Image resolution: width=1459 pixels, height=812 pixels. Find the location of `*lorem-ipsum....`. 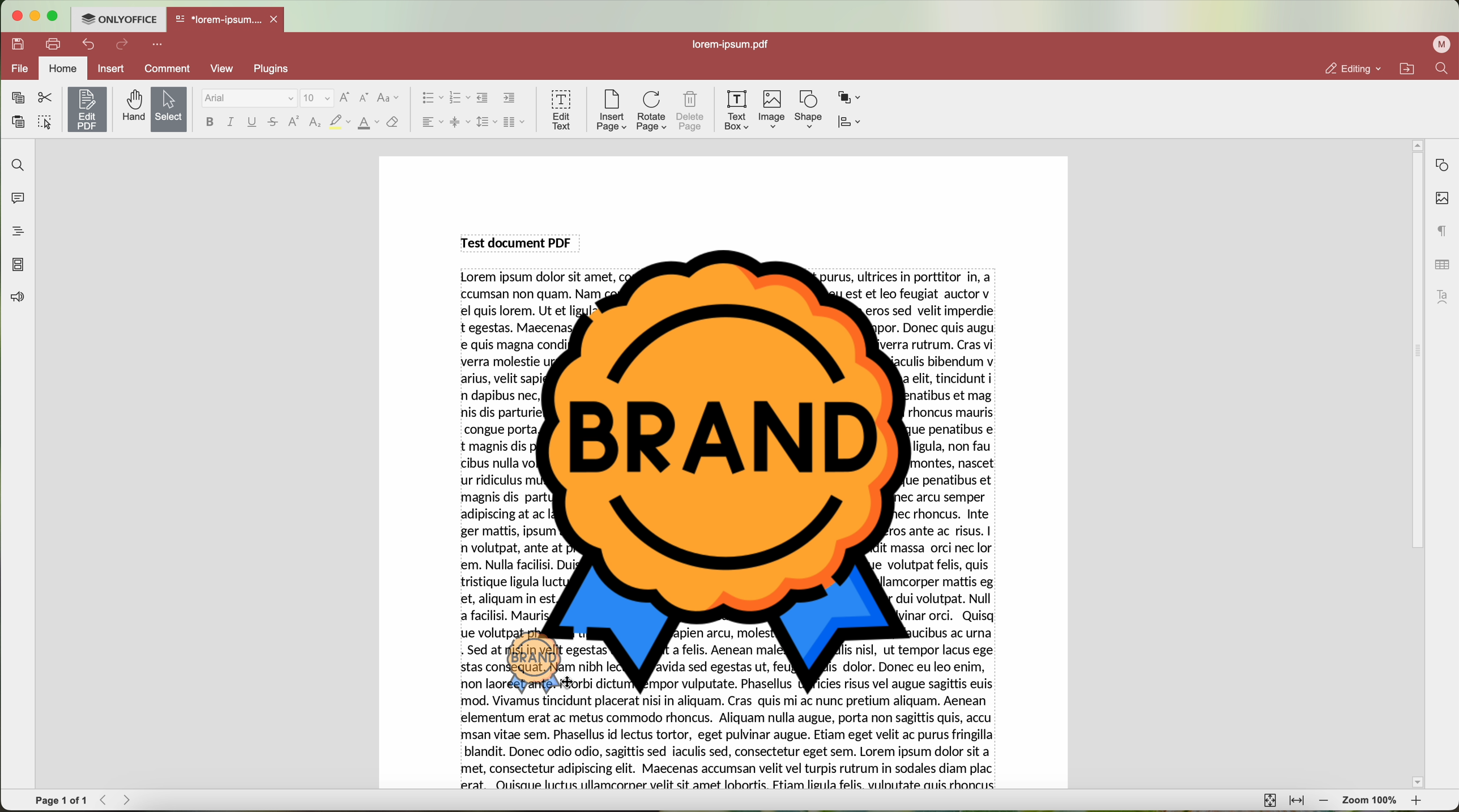

*lorem-ipsum.... is located at coordinates (217, 17).